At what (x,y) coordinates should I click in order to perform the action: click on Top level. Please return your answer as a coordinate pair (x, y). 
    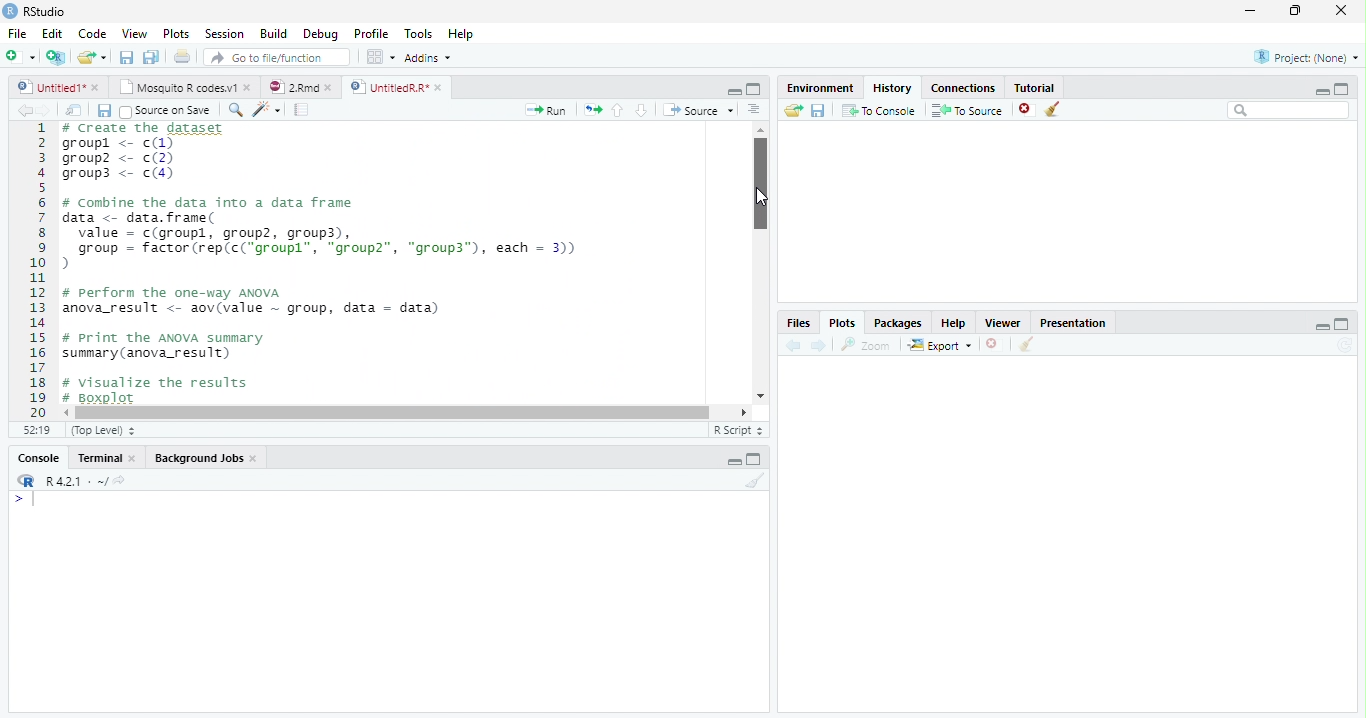
    Looking at the image, I should click on (106, 431).